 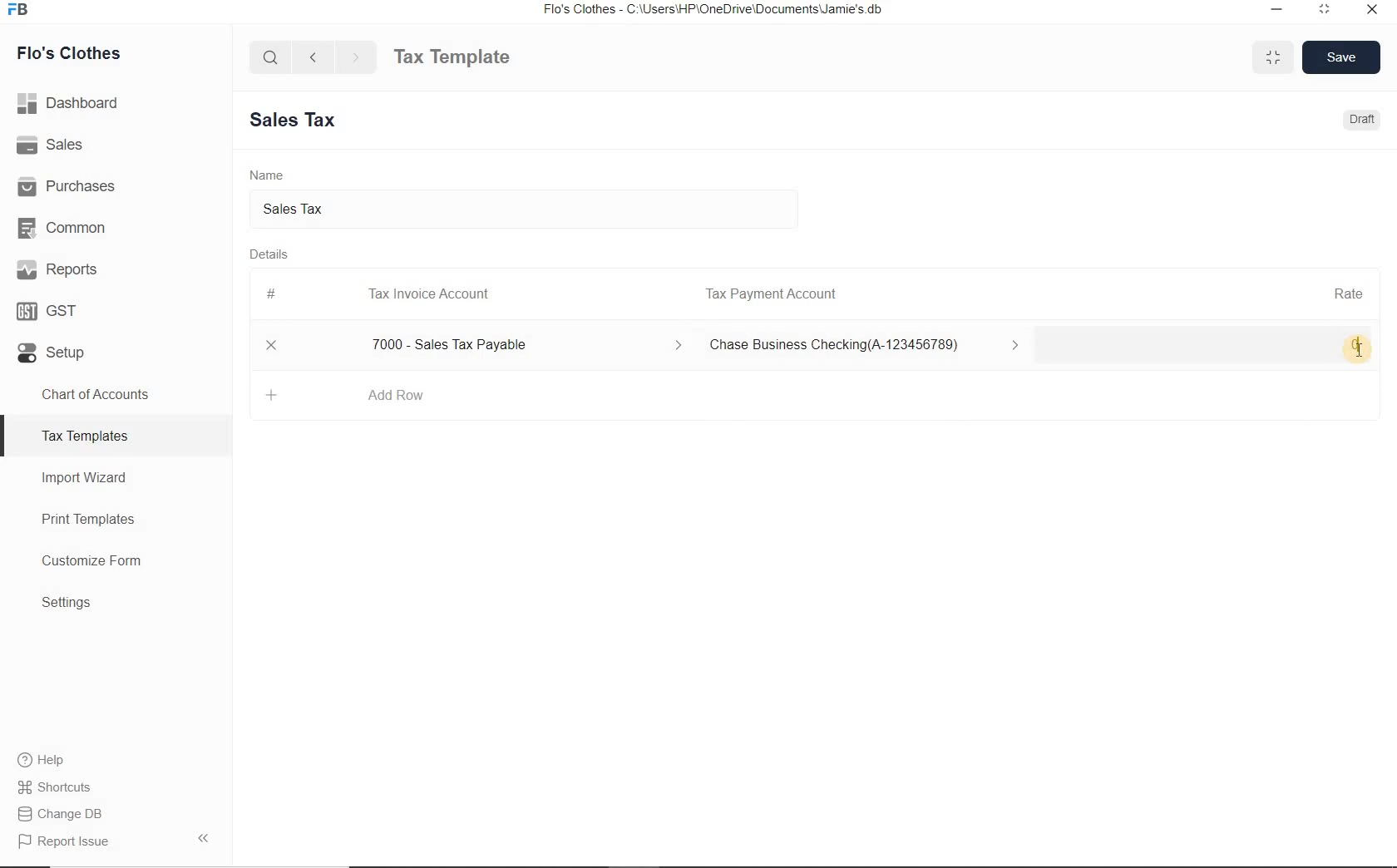 What do you see at coordinates (116, 519) in the screenshot?
I see `Print Templates` at bounding box center [116, 519].